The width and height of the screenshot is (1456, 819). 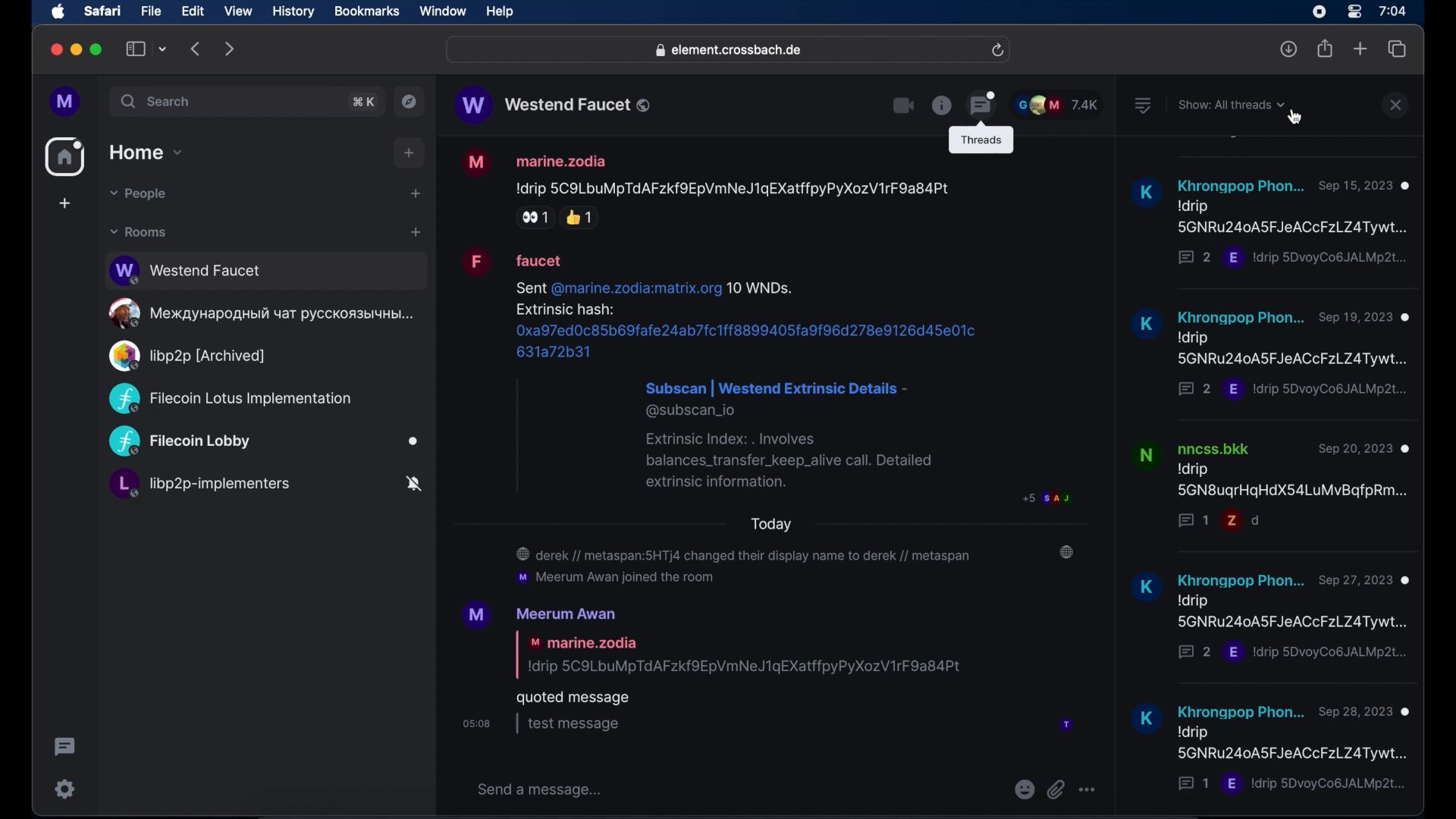 I want to click on Sent @marine.zodia:matrix.org 10 WNDs.
Extrinsic hash: 0xa97ed0c85b69fafe24ab7fc1ff8899405fa9f96d278e9126d45e01c631a72b31
Subscan | Westend Extrinsic Details - @subscan_io
Extrinsic Index: . Involves balances_transfer_keep_alive call. Detailed extrinsic information., so click(x=739, y=386).